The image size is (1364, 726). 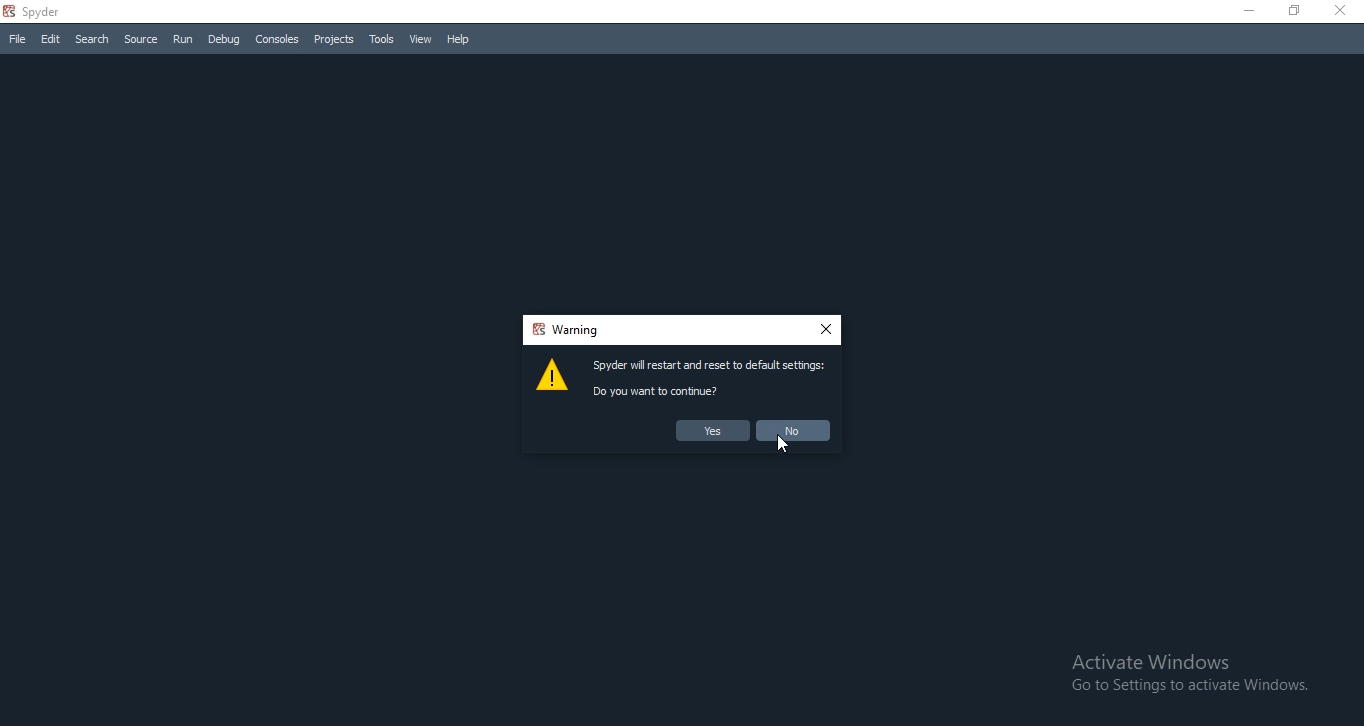 I want to click on yes, so click(x=710, y=432).